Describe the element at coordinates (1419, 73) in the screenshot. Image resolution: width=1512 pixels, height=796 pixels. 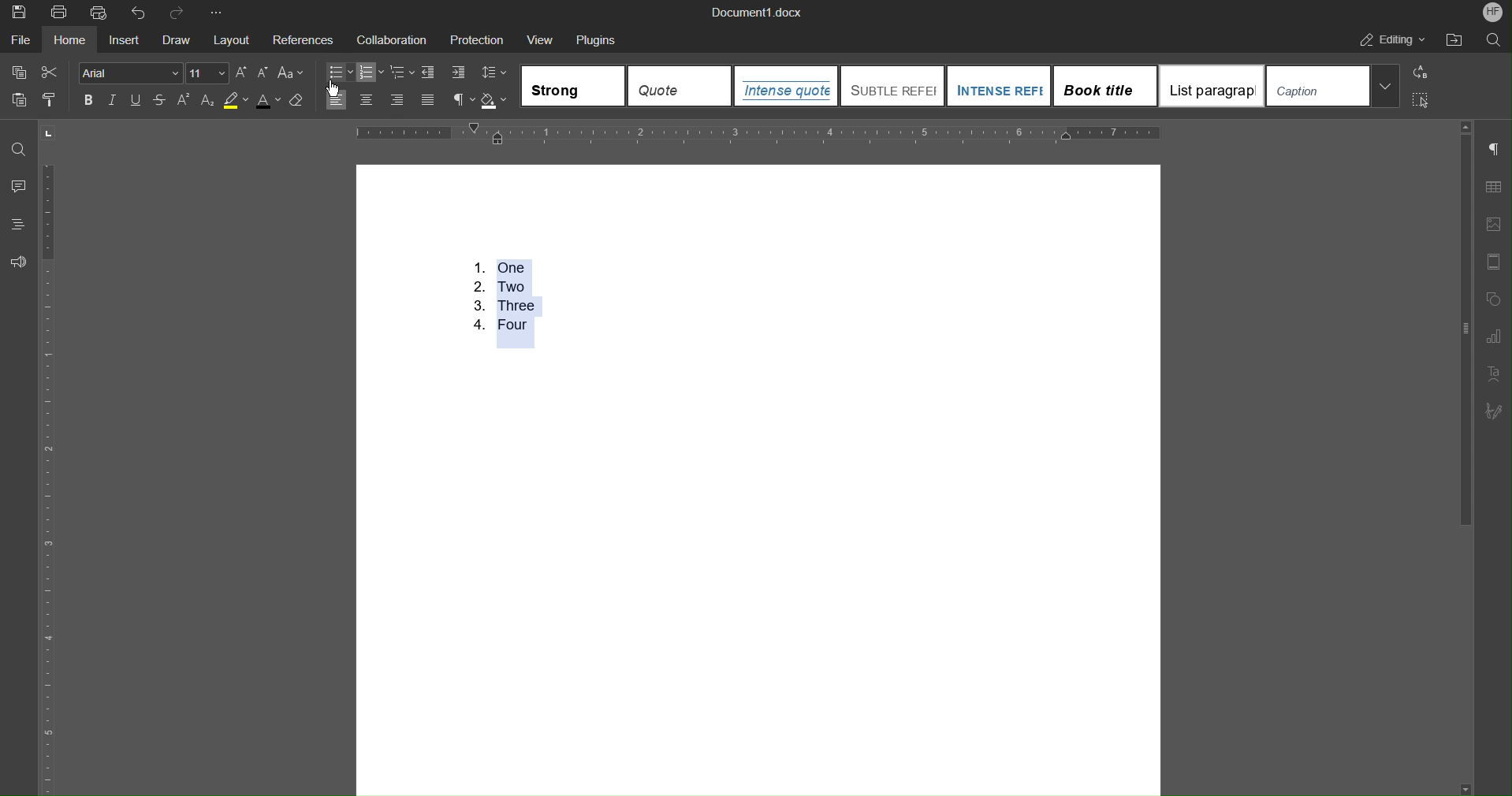
I see `Replace` at that location.